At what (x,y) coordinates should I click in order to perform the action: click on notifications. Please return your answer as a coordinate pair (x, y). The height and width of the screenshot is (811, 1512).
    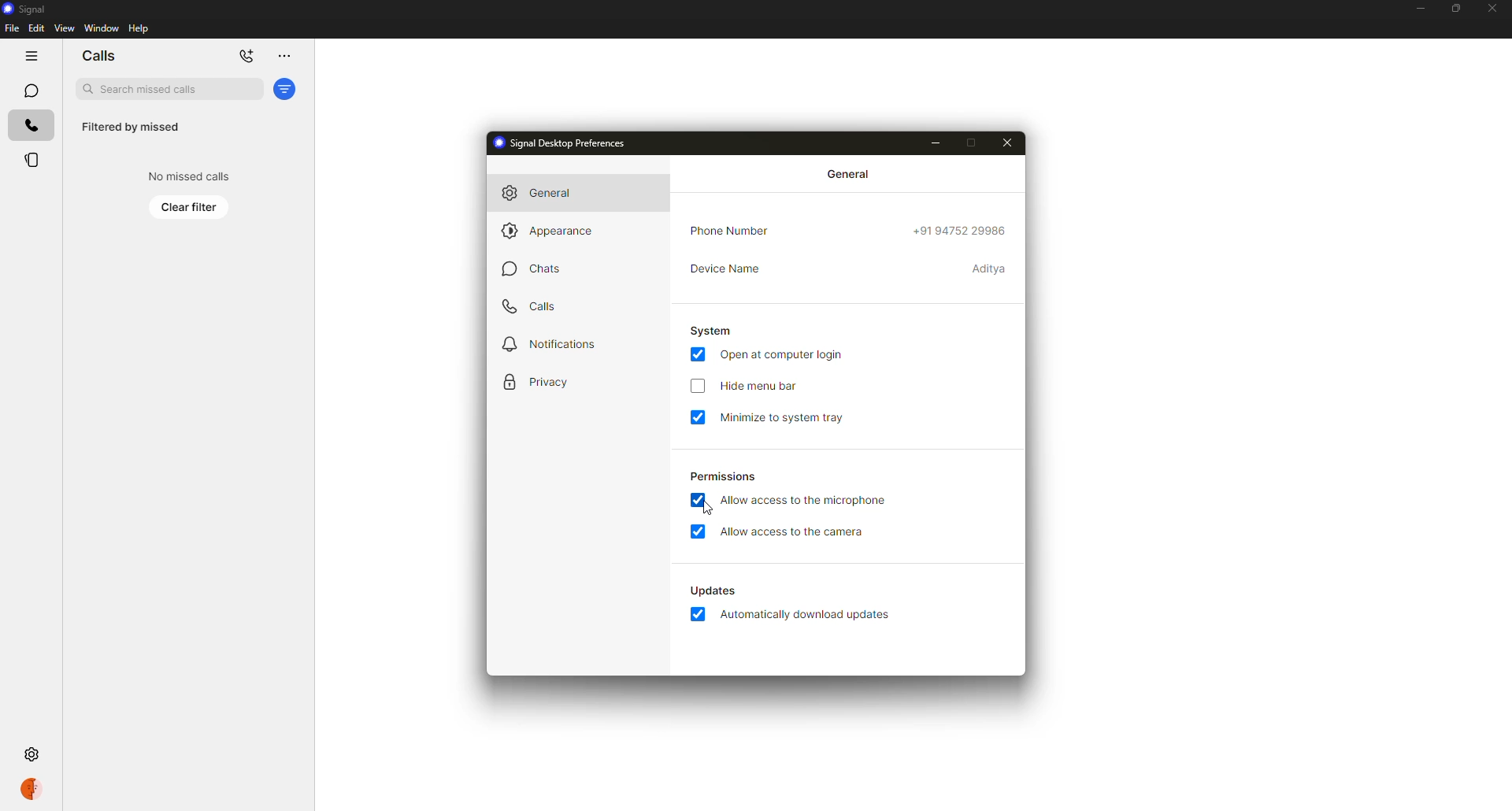
    Looking at the image, I should click on (558, 344).